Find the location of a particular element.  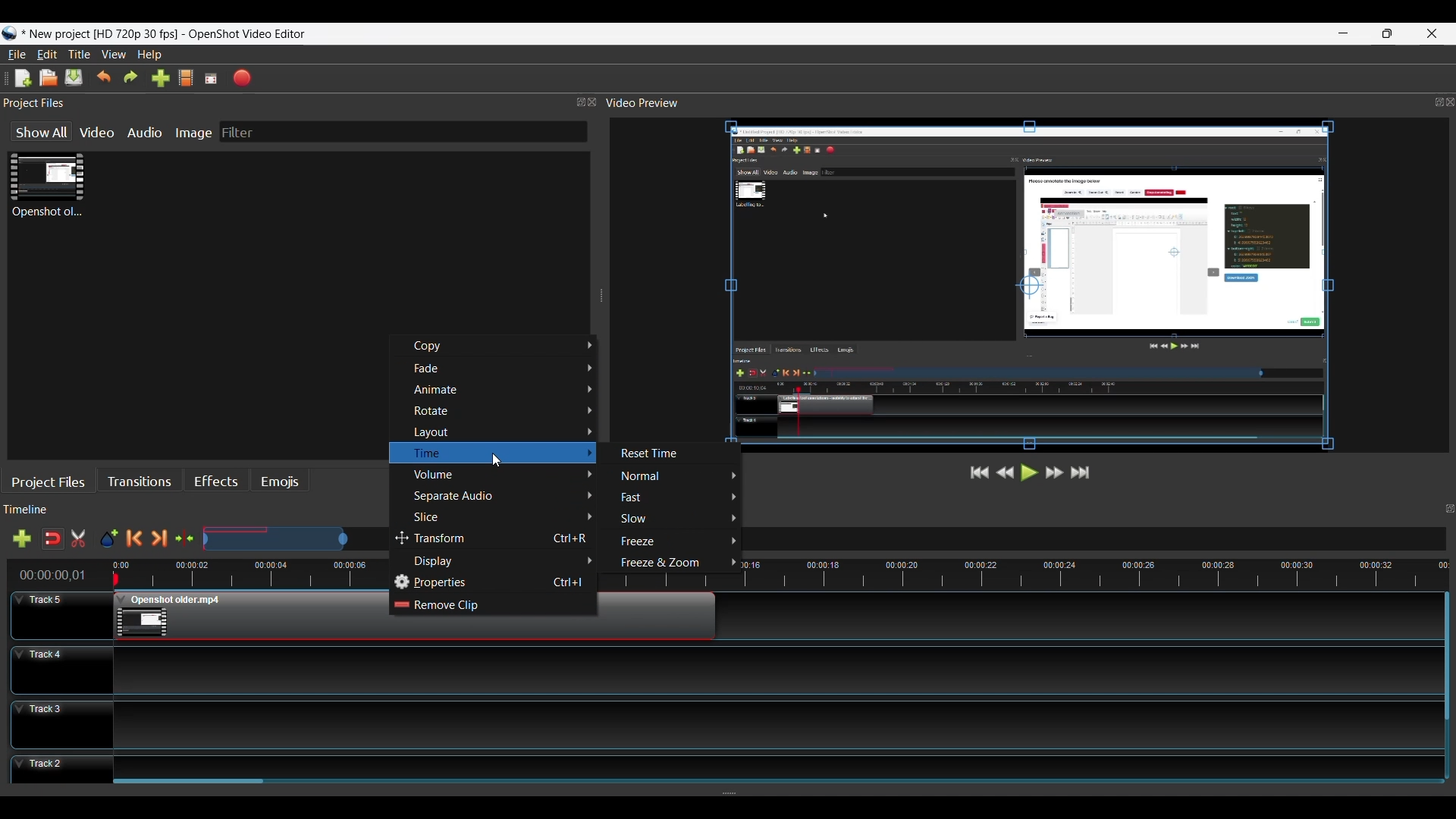

Choose File is located at coordinates (189, 79).